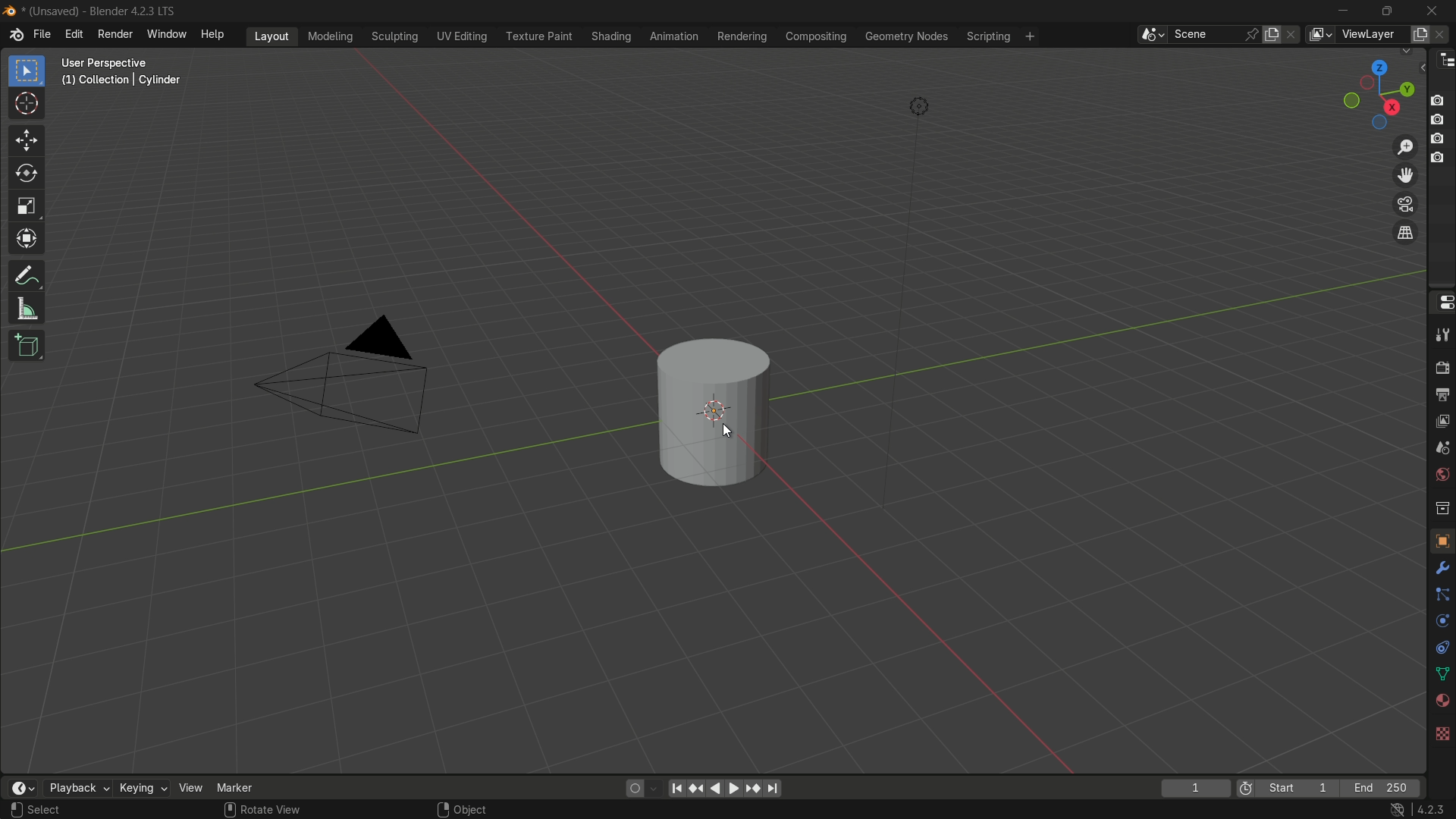 The width and height of the screenshot is (1456, 819). Describe the element at coordinates (695, 788) in the screenshot. I see `jump to keyframe` at that location.